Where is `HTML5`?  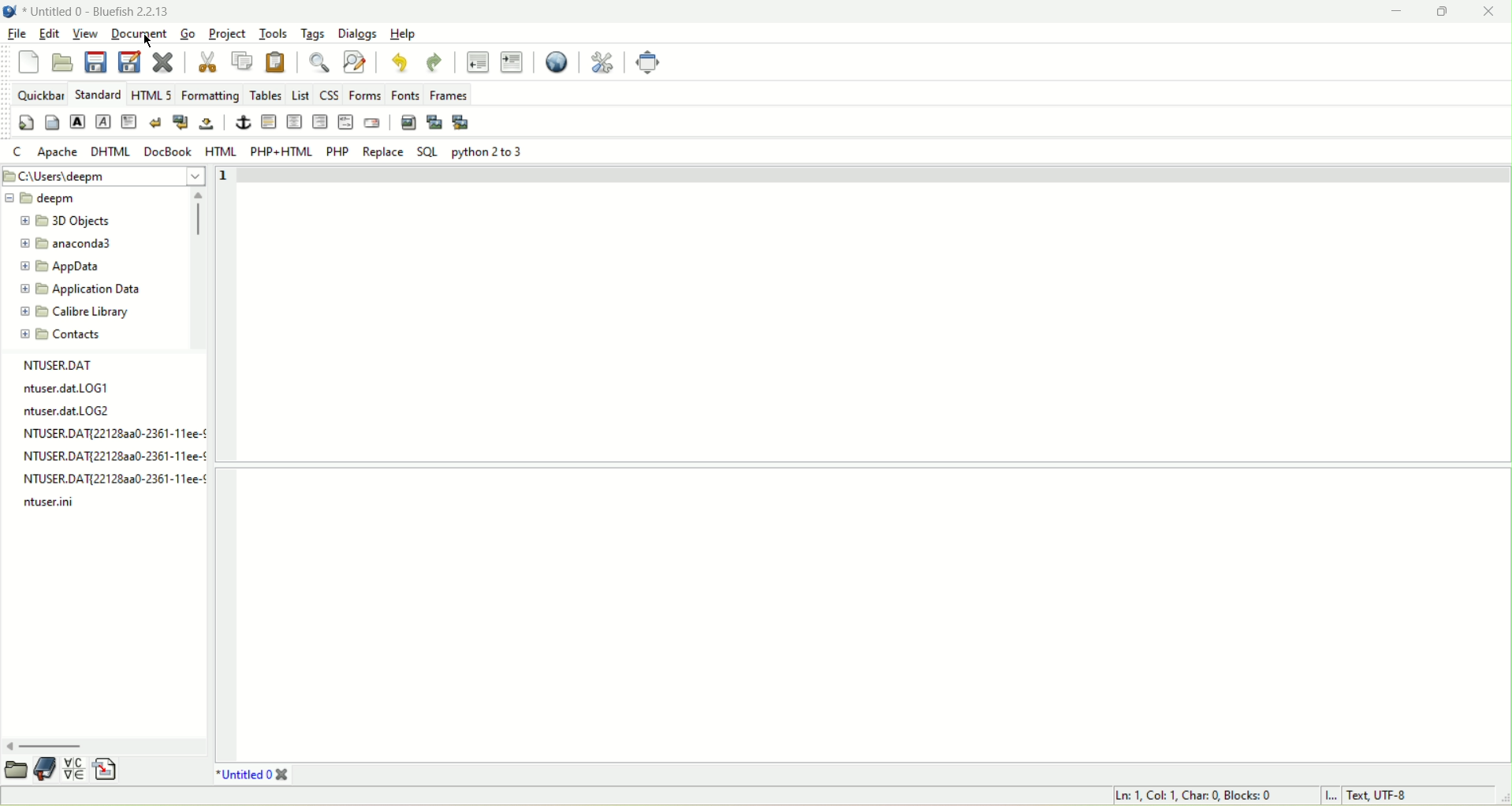 HTML5 is located at coordinates (151, 94).